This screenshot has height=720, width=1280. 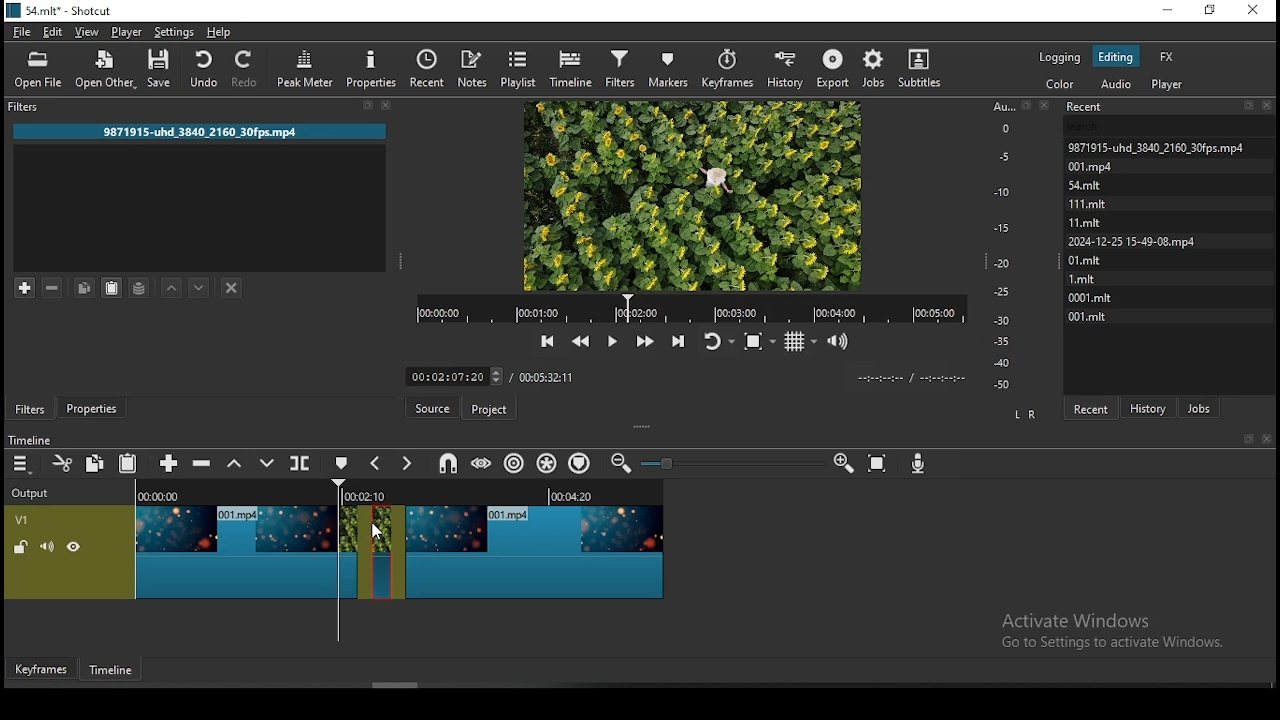 What do you see at coordinates (89, 409) in the screenshot?
I see `properties` at bounding box center [89, 409].